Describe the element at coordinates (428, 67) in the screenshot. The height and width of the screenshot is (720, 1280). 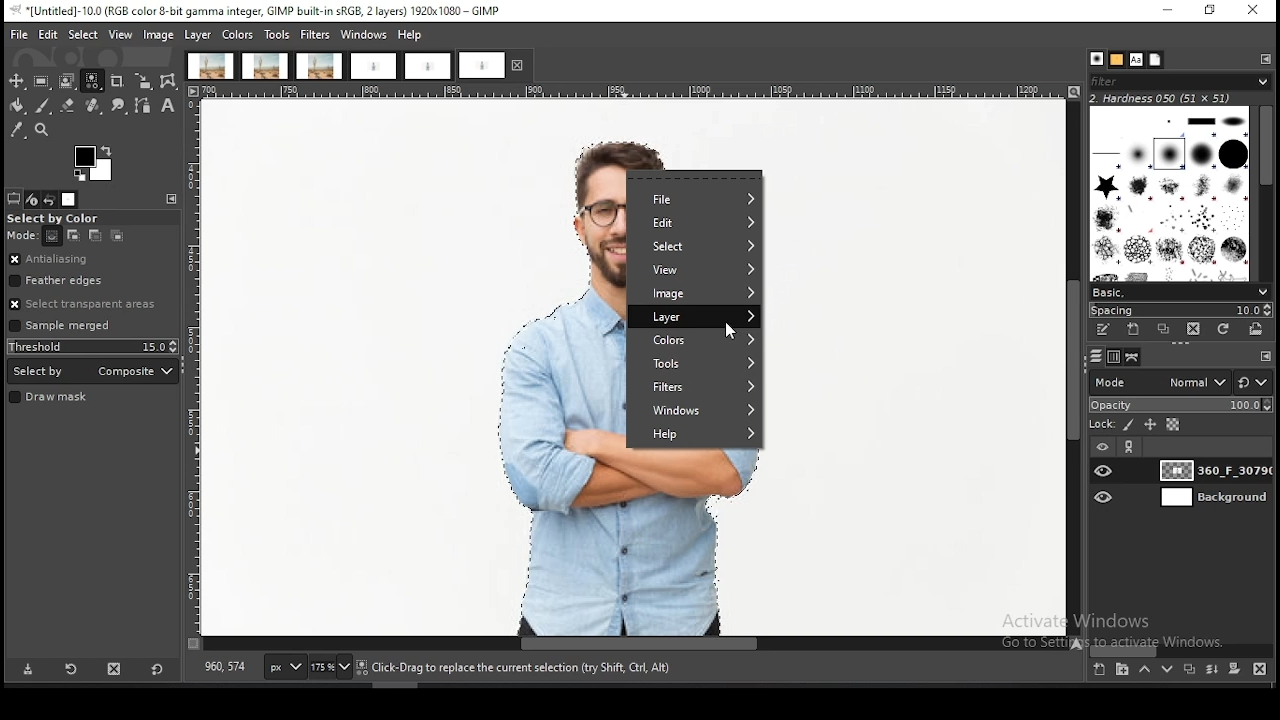
I see `project tab` at that location.